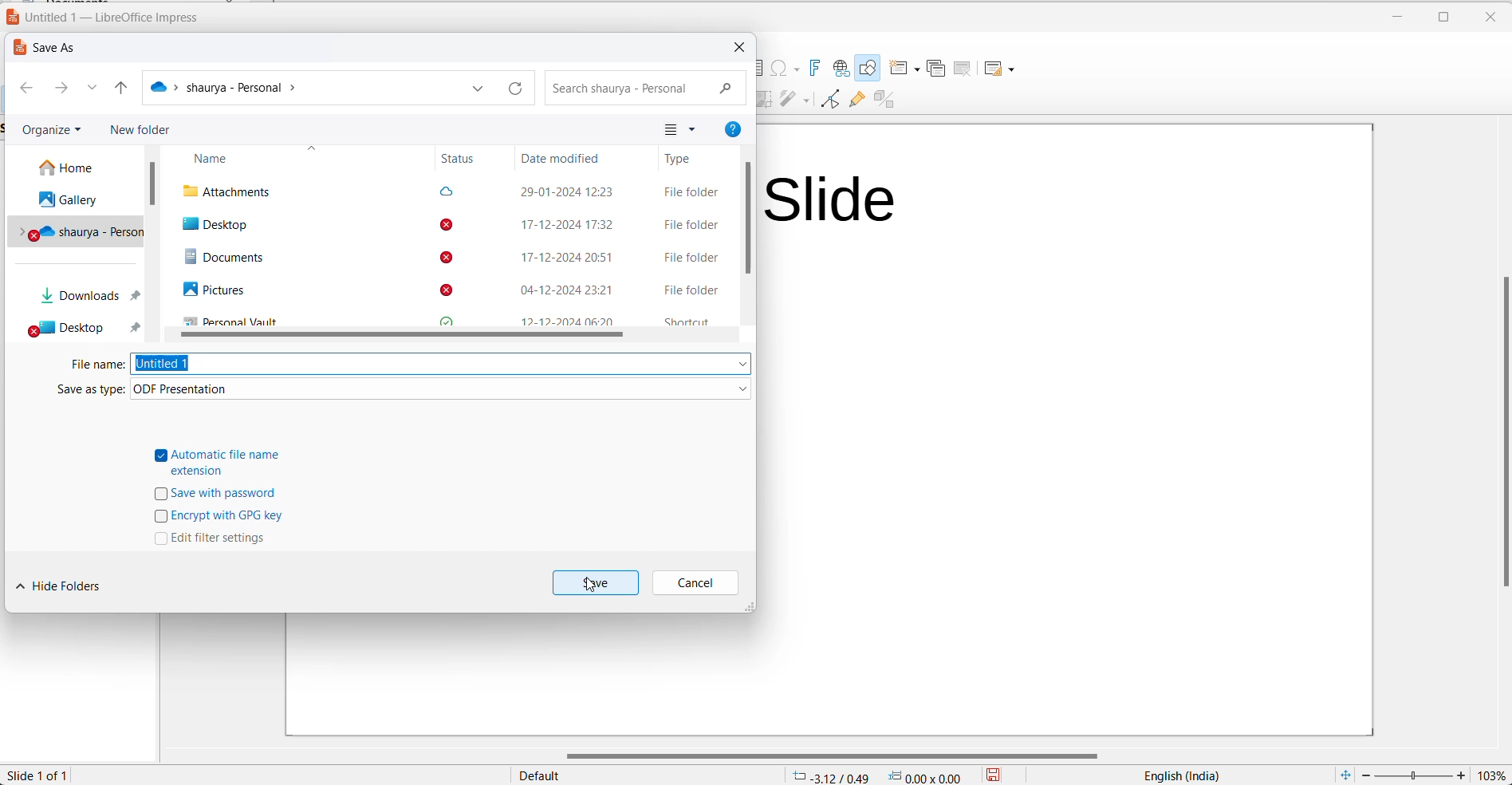  What do you see at coordinates (796, 101) in the screenshot?
I see `filters` at bounding box center [796, 101].